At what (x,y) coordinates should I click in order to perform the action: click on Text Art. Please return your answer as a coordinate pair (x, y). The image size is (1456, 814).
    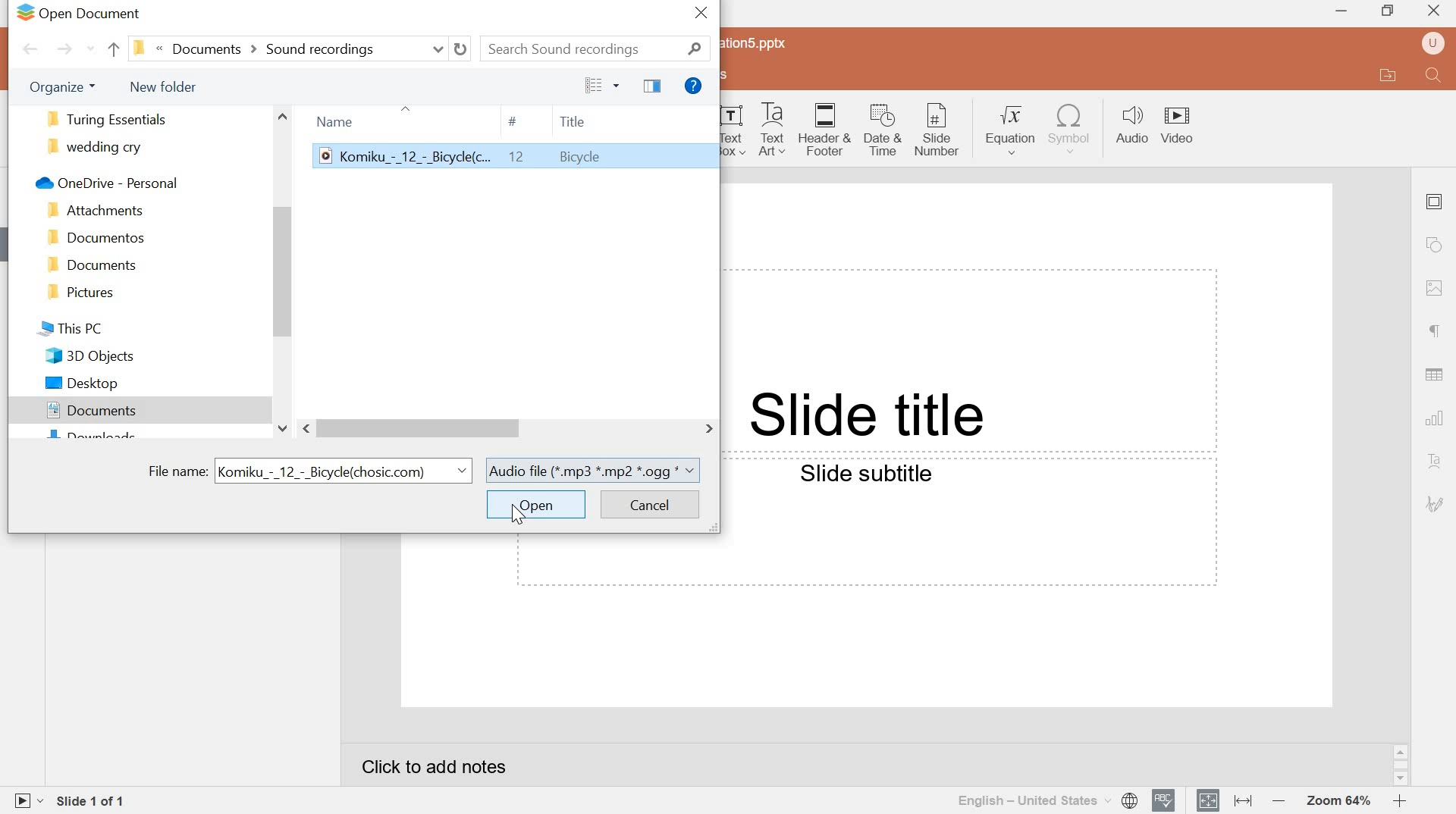
    Looking at the image, I should click on (736, 131).